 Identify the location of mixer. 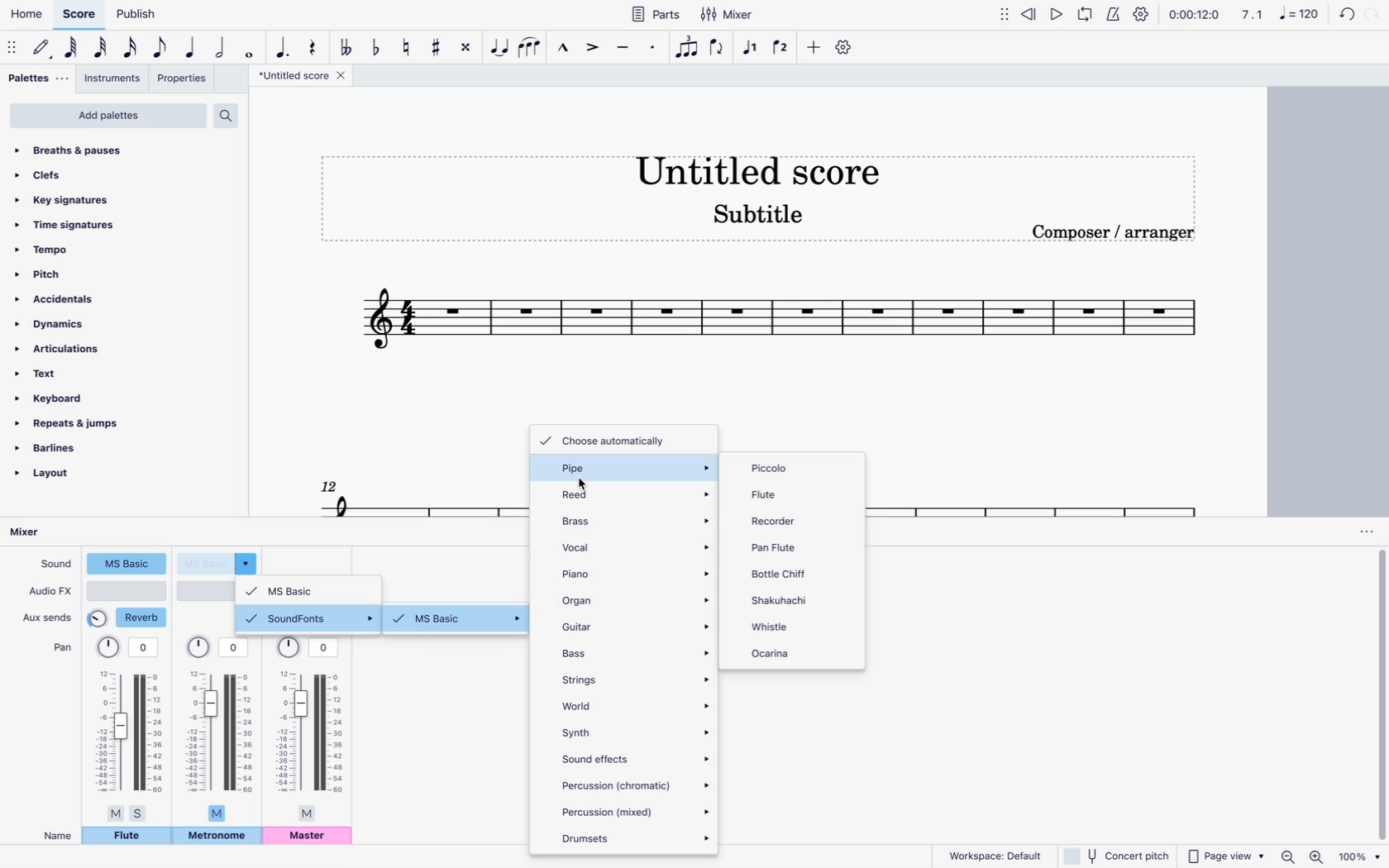
(32, 532).